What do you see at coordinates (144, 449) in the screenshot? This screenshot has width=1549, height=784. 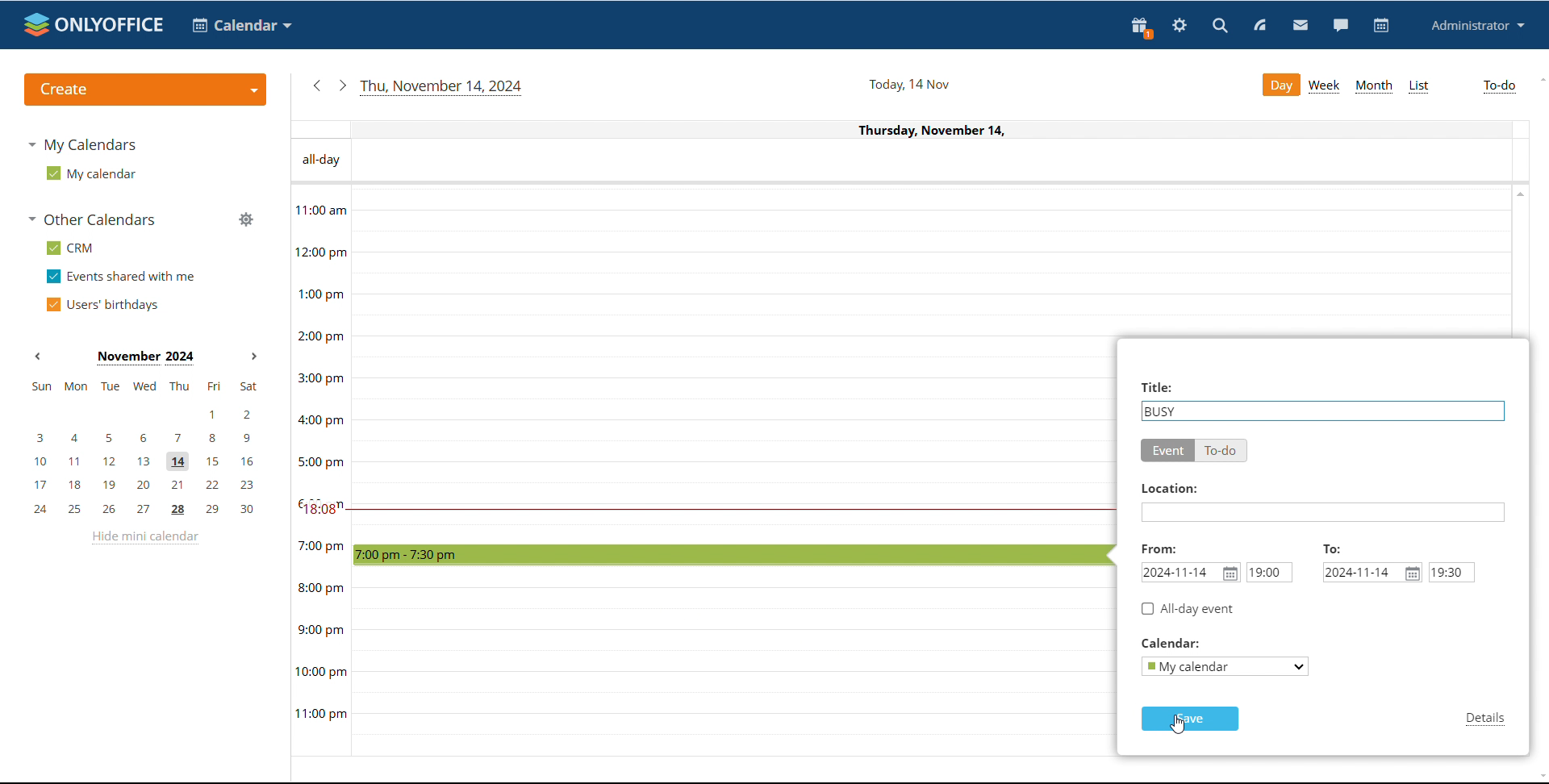 I see `mini calendar` at bounding box center [144, 449].